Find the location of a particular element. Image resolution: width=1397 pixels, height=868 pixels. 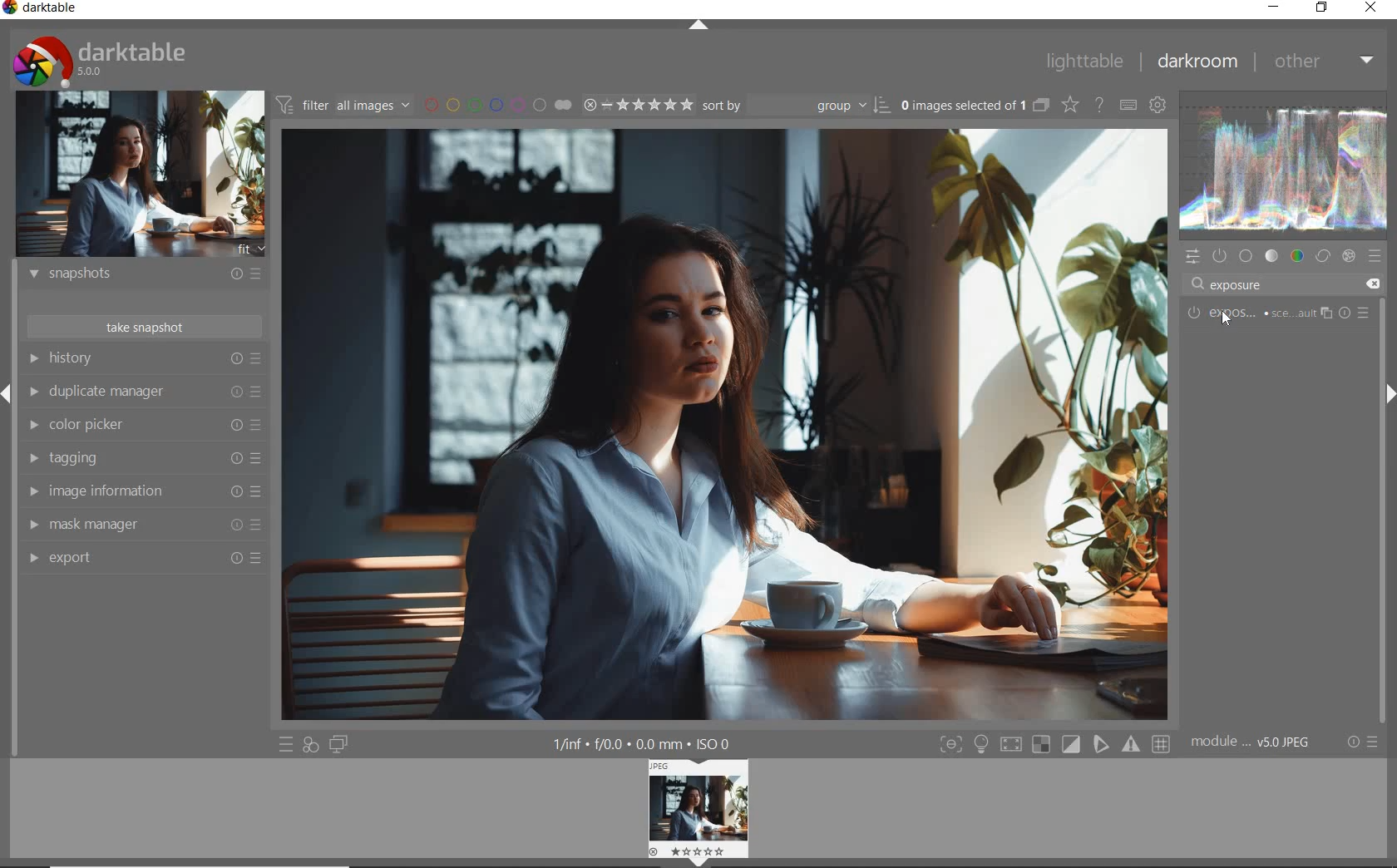

color is located at coordinates (1298, 256).